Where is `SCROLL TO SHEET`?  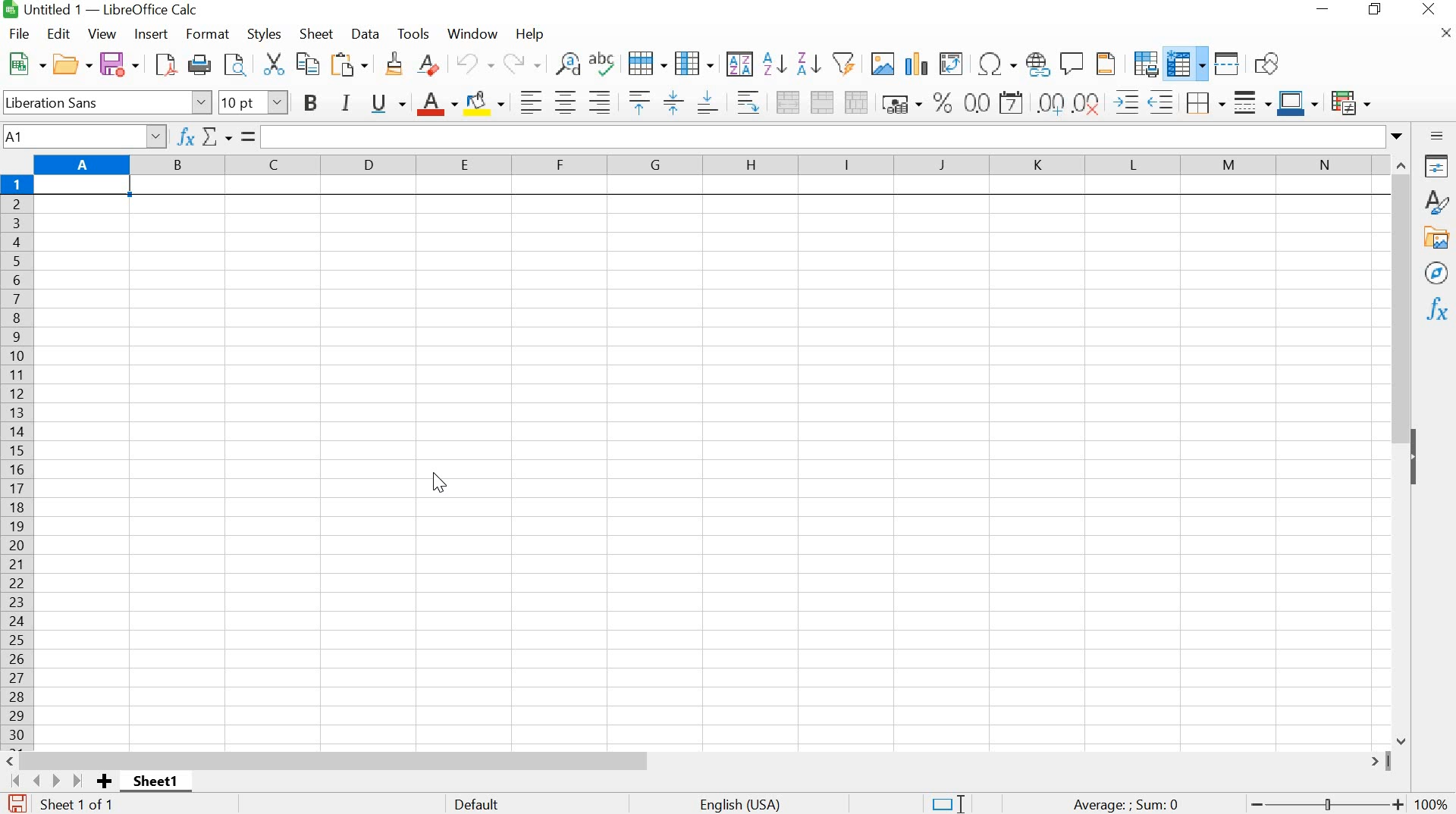 SCROLL TO SHEET is located at coordinates (45, 781).